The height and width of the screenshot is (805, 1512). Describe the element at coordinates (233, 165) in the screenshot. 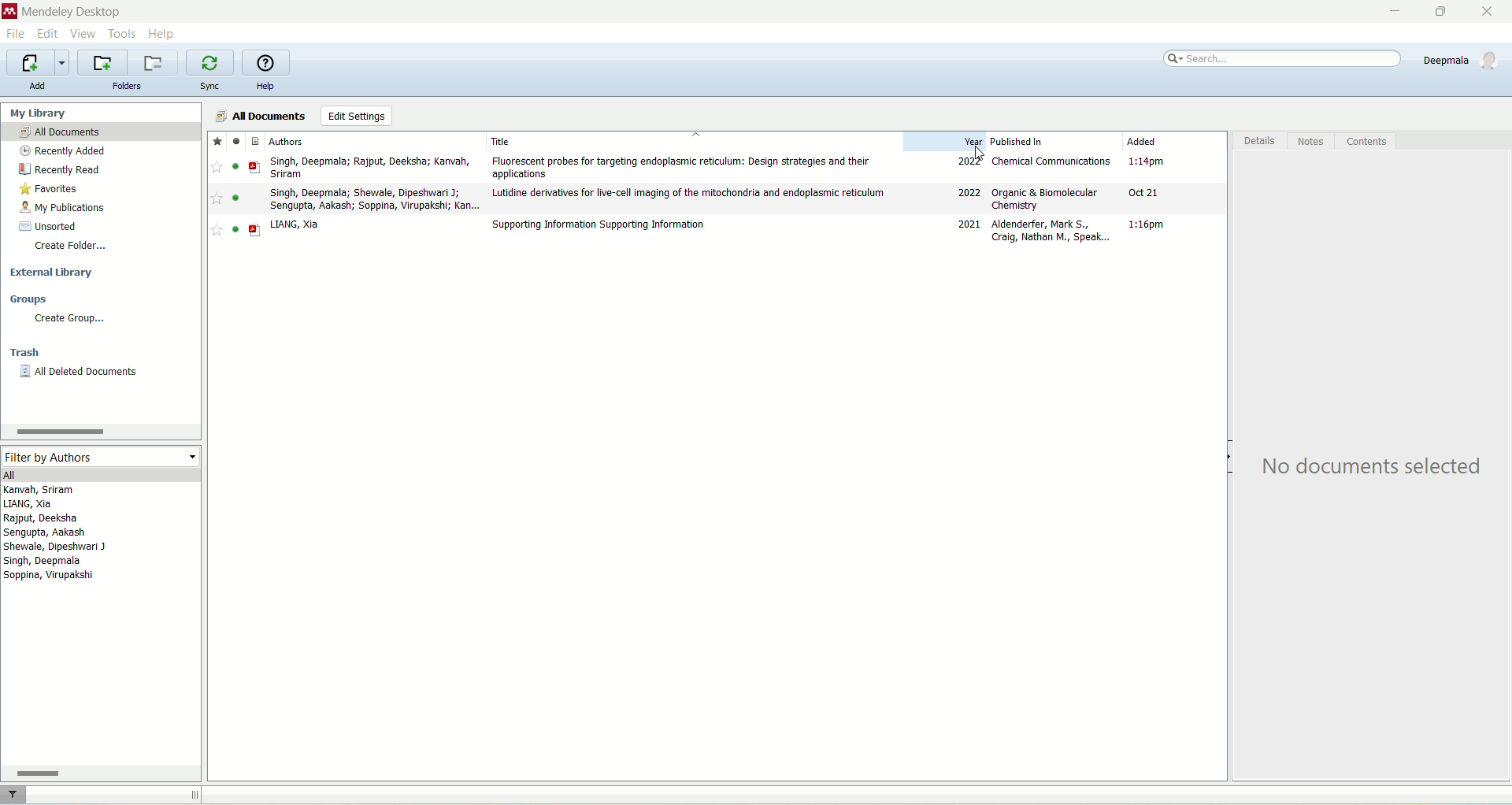

I see `read/unread` at that location.